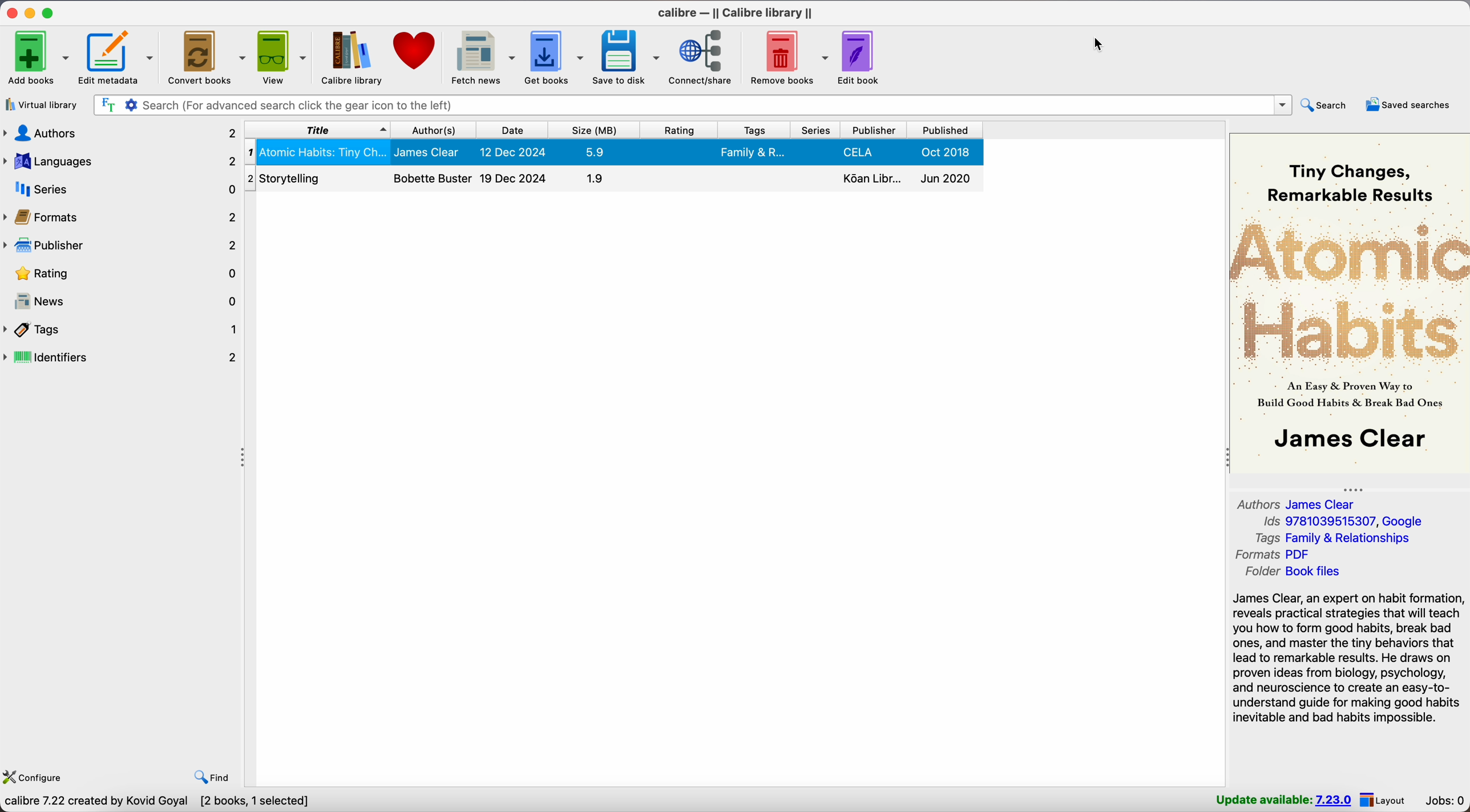  Describe the element at coordinates (1350, 303) in the screenshot. I see `book cover preview` at that location.